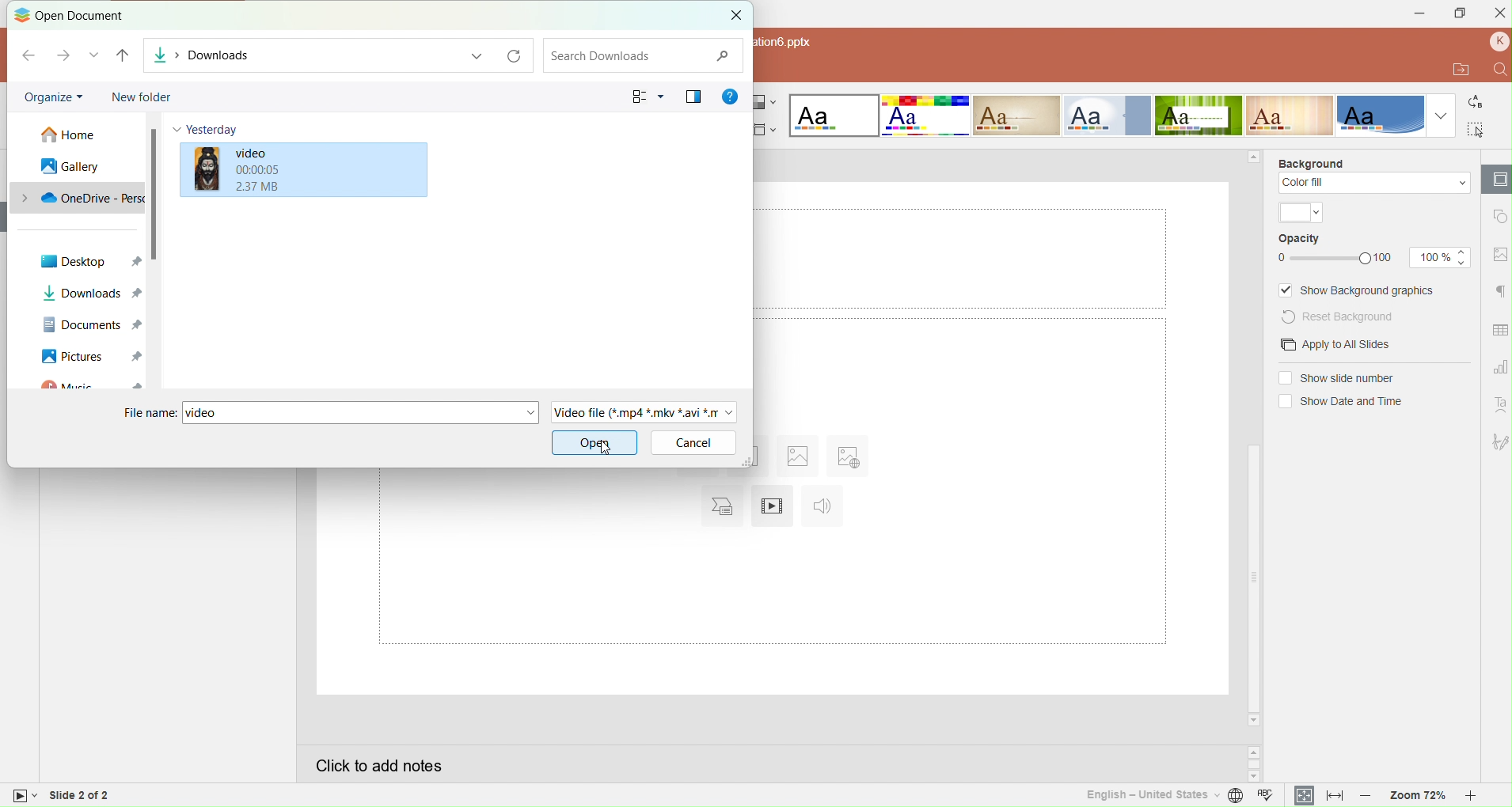 The image size is (1512, 807). I want to click on Image setting, so click(1498, 254).